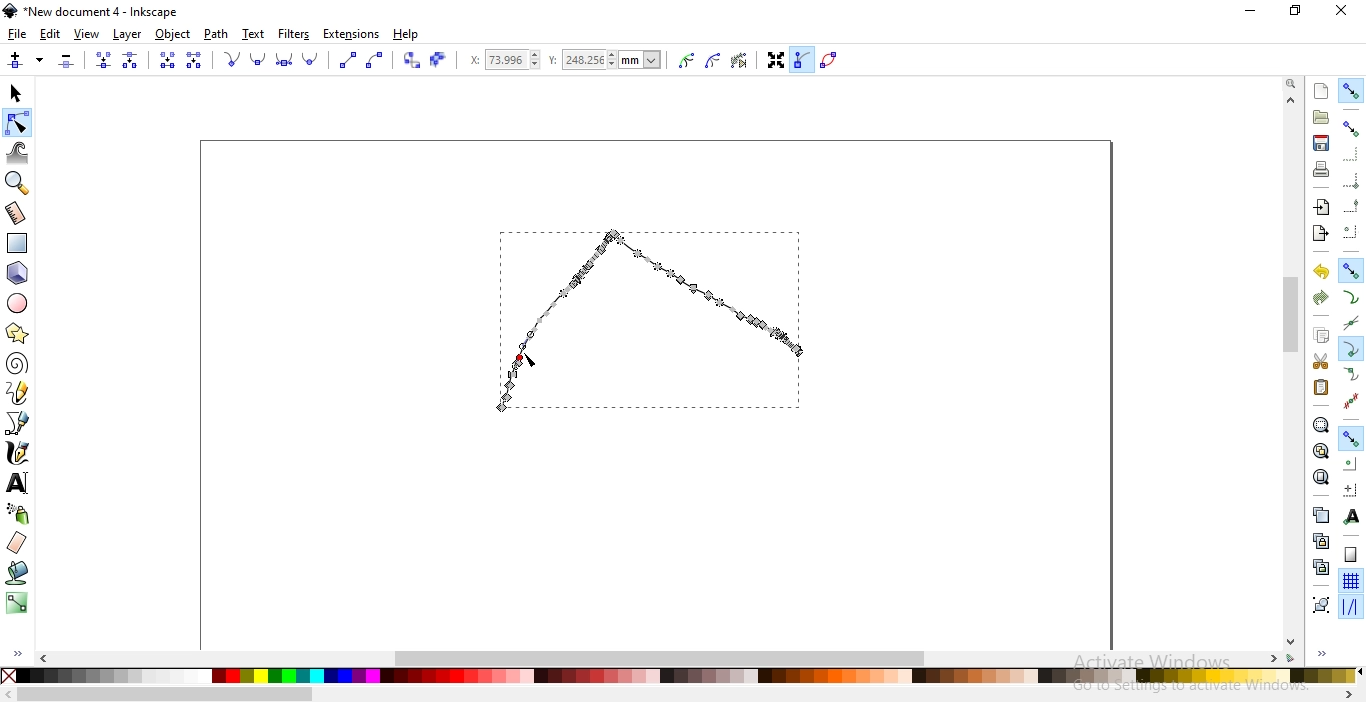  Describe the element at coordinates (195, 60) in the screenshot. I see `delete segment between two non-endpoint nodes` at that location.